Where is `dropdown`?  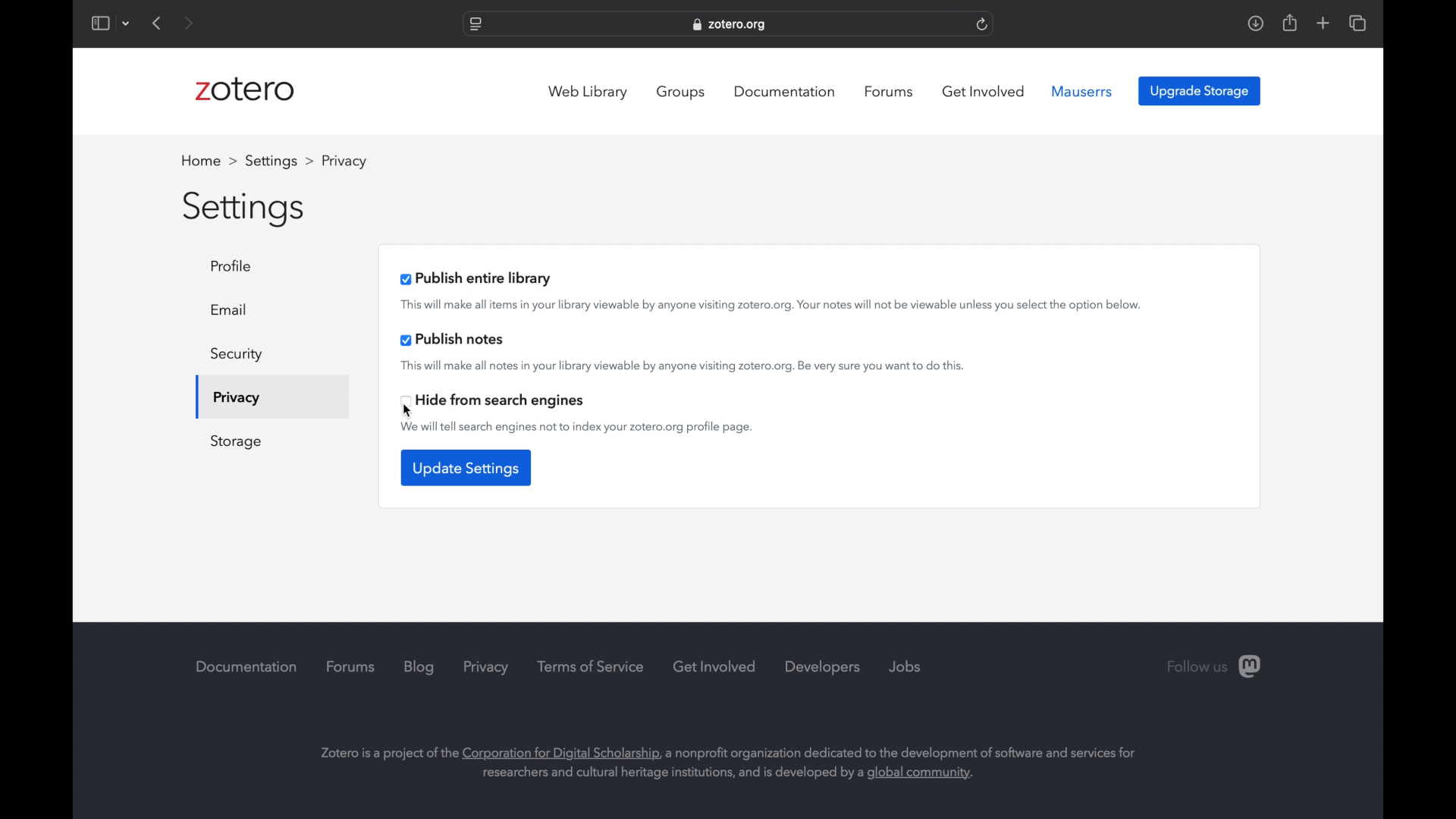 dropdown is located at coordinates (127, 24).